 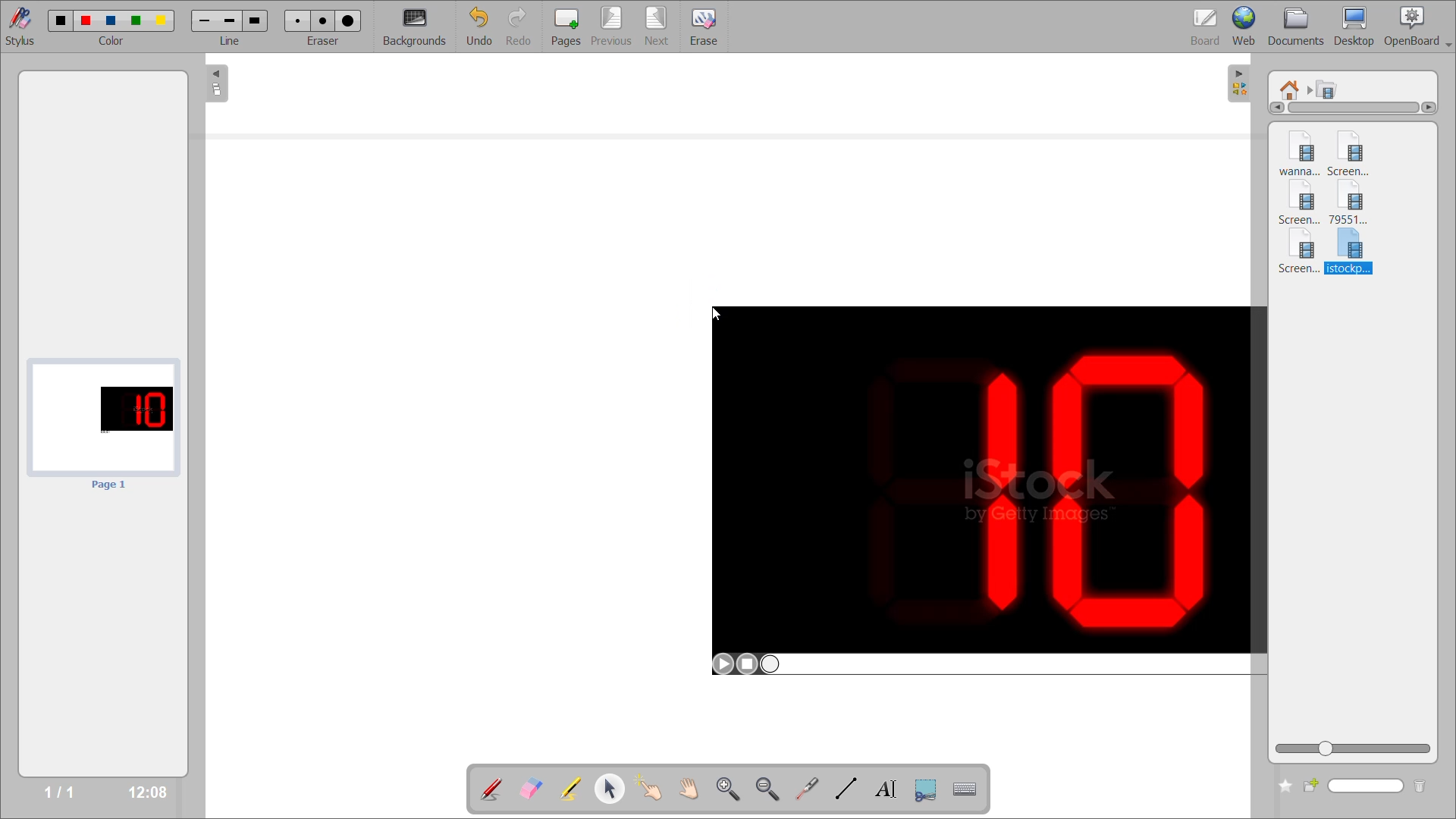 I want to click on Medium eraser, so click(x=322, y=20).